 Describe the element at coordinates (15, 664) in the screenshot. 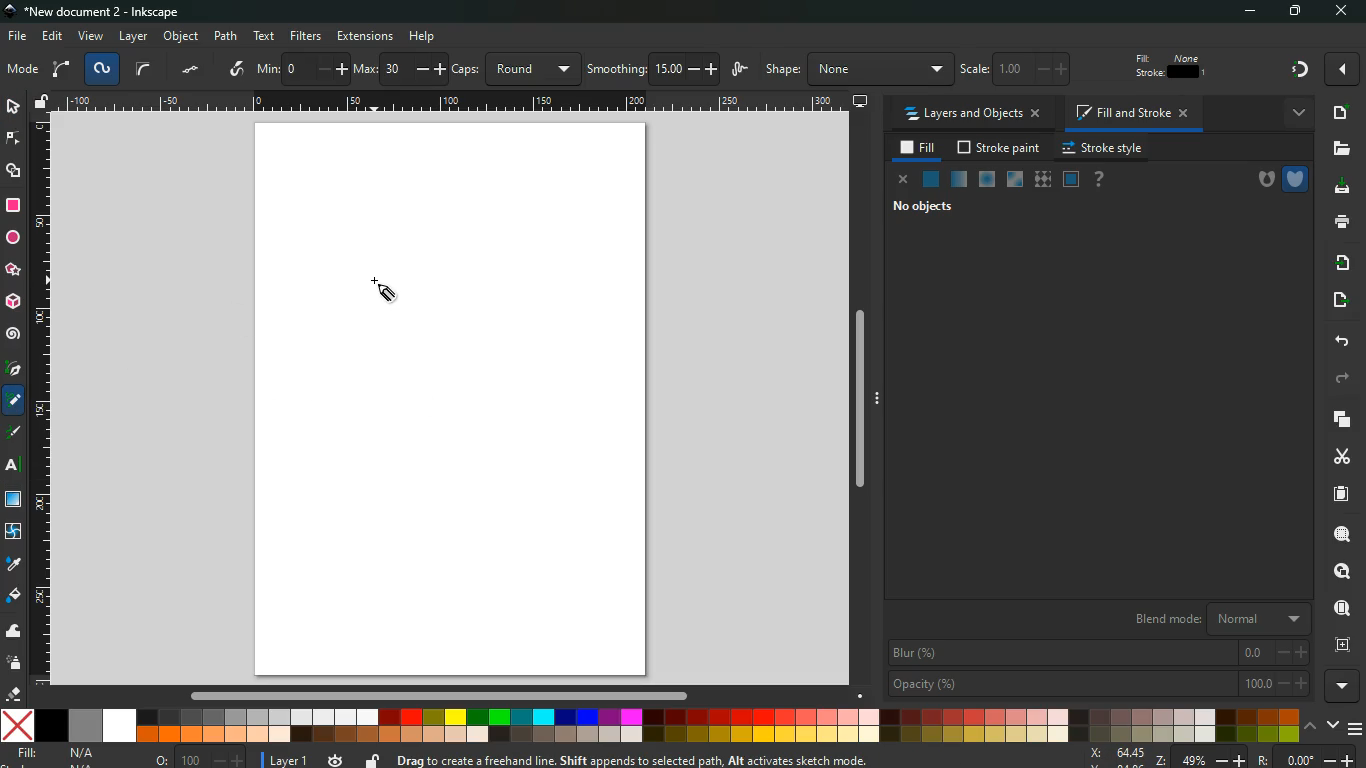

I see `spray` at that location.